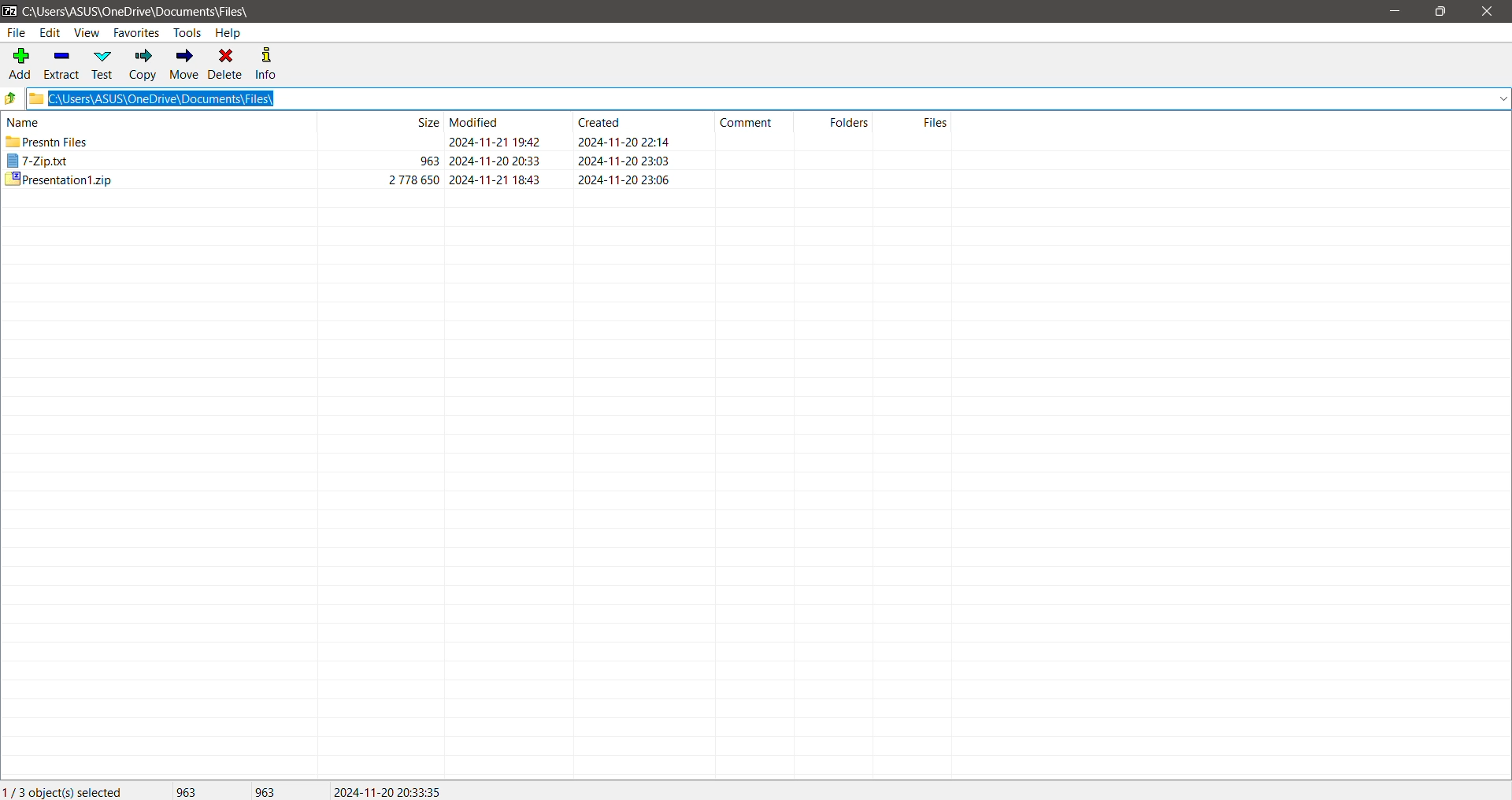 The height and width of the screenshot is (800, 1512). I want to click on comment, so click(746, 122).